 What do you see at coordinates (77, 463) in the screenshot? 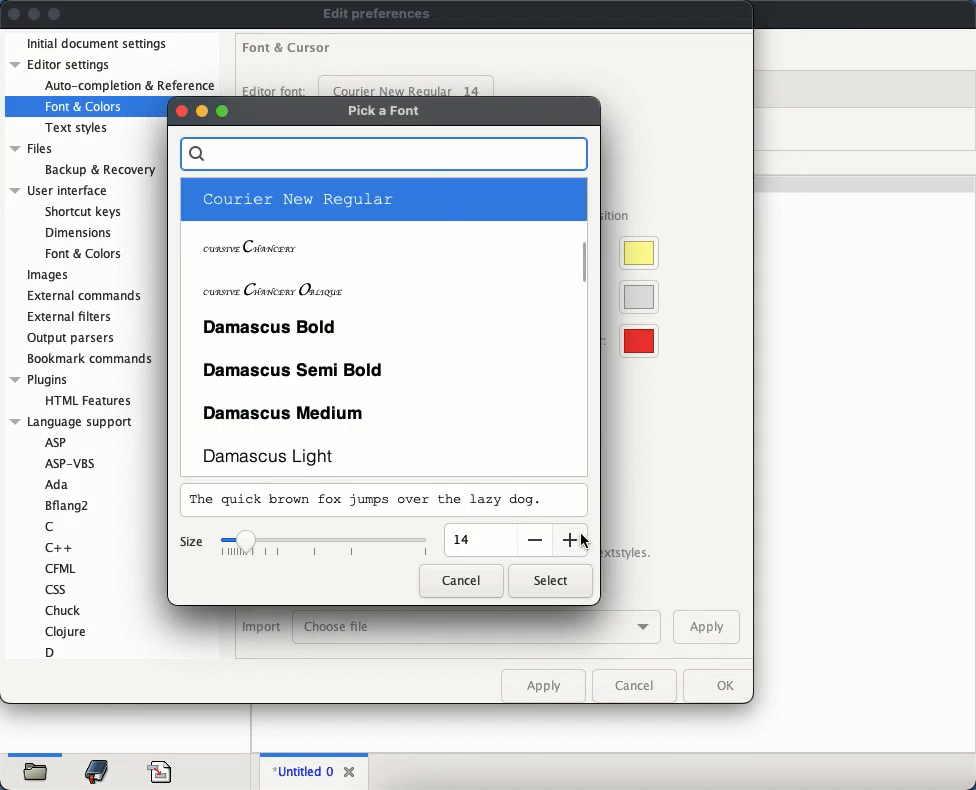
I see `ASP-VBS` at bounding box center [77, 463].